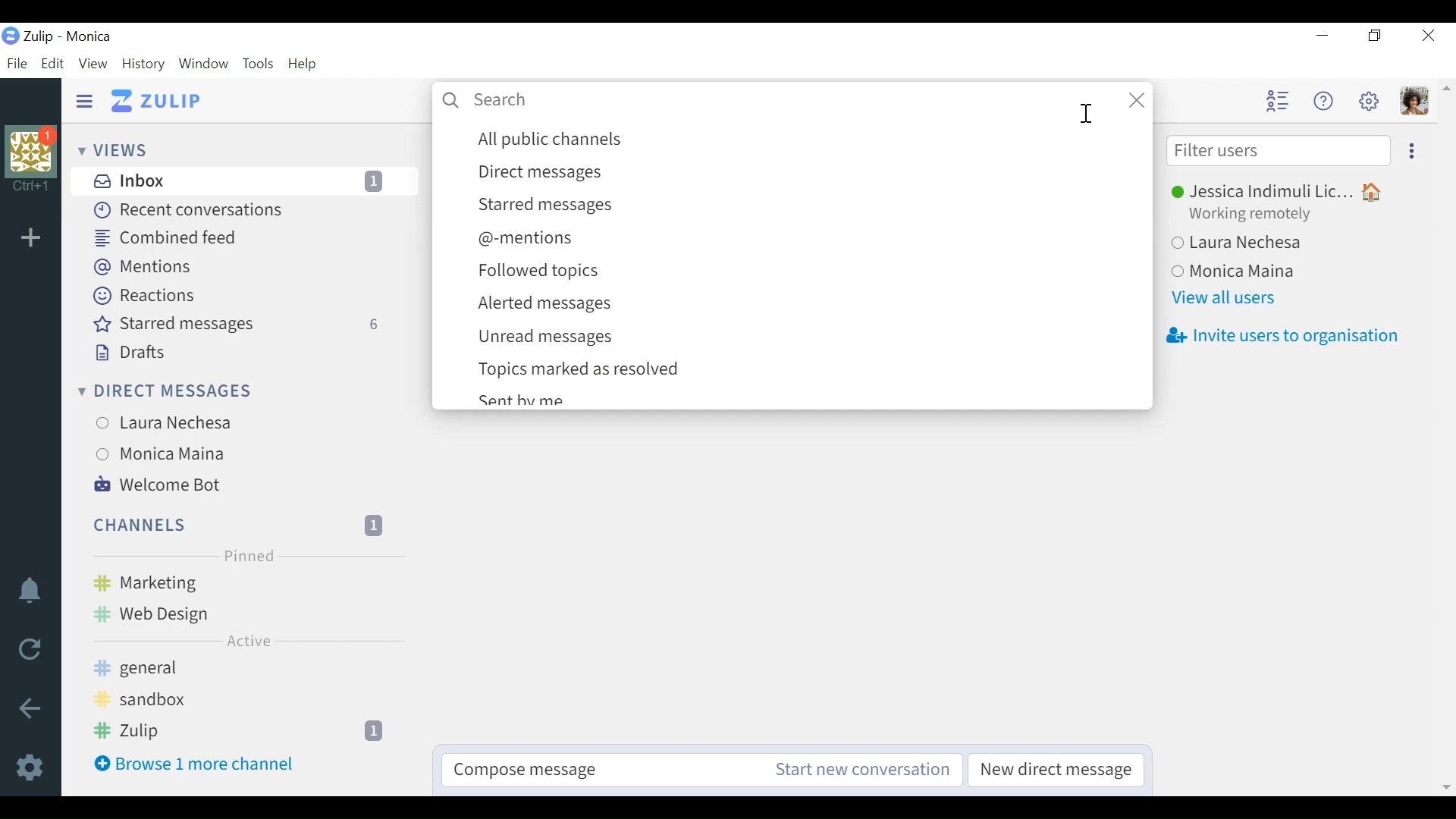 Image resolution: width=1456 pixels, height=819 pixels. What do you see at coordinates (115, 149) in the screenshot?
I see `Views` at bounding box center [115, 149].